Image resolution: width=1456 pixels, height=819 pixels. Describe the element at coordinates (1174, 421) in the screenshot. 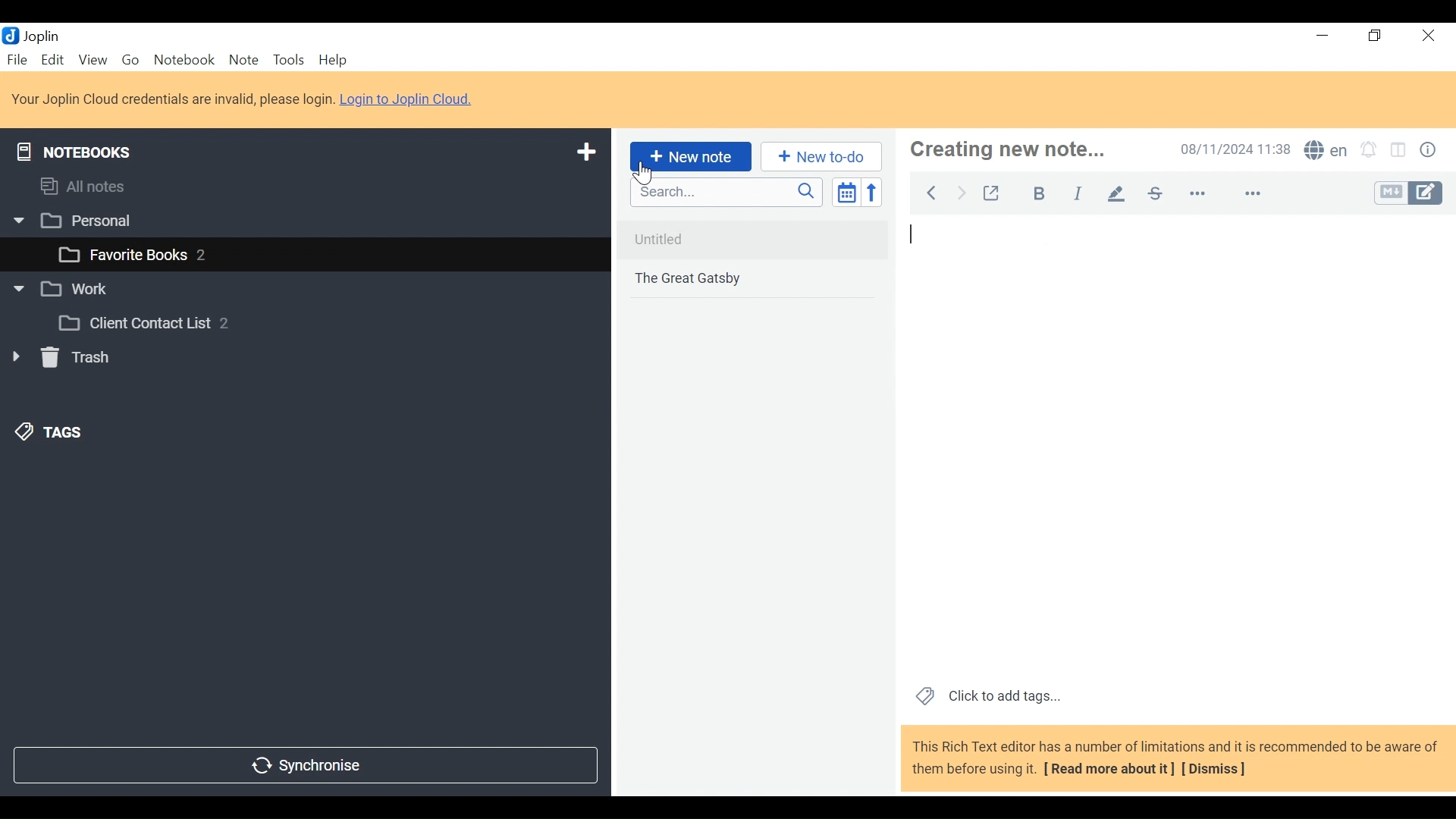

I see `note view` at that location.